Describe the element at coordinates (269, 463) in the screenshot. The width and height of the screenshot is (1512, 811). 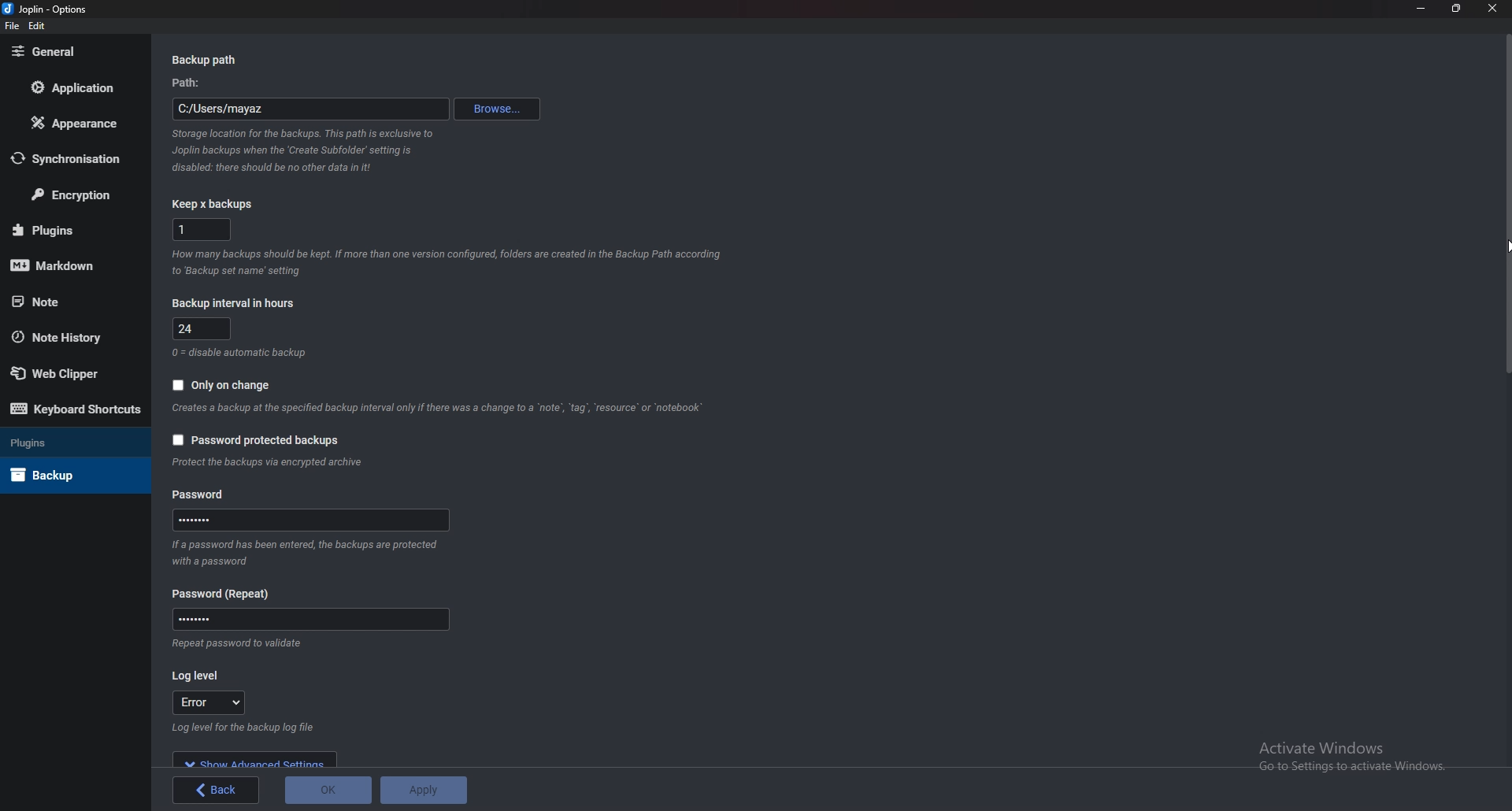
I see `info` at that location.